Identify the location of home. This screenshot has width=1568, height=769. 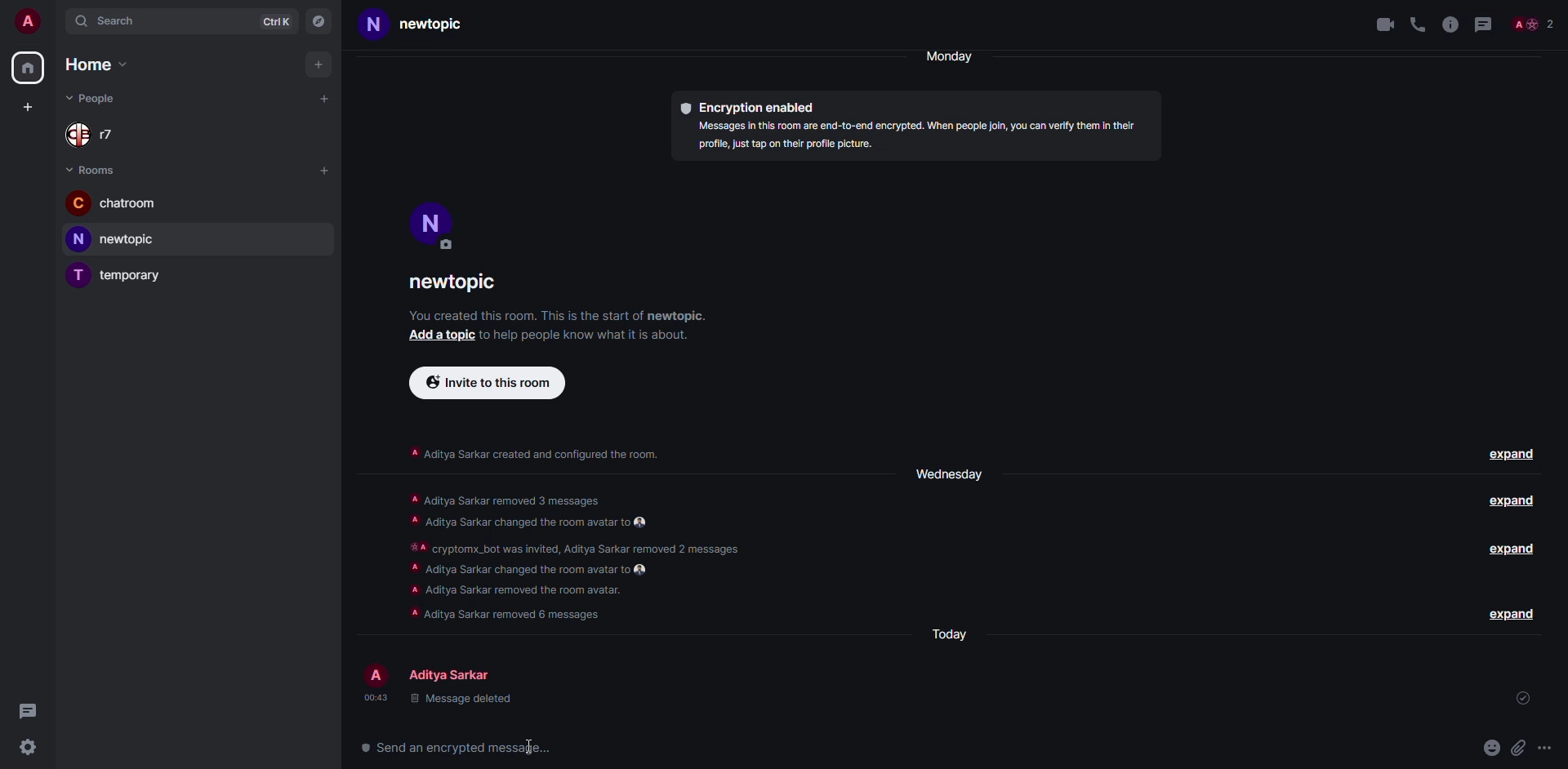
(93, 64).